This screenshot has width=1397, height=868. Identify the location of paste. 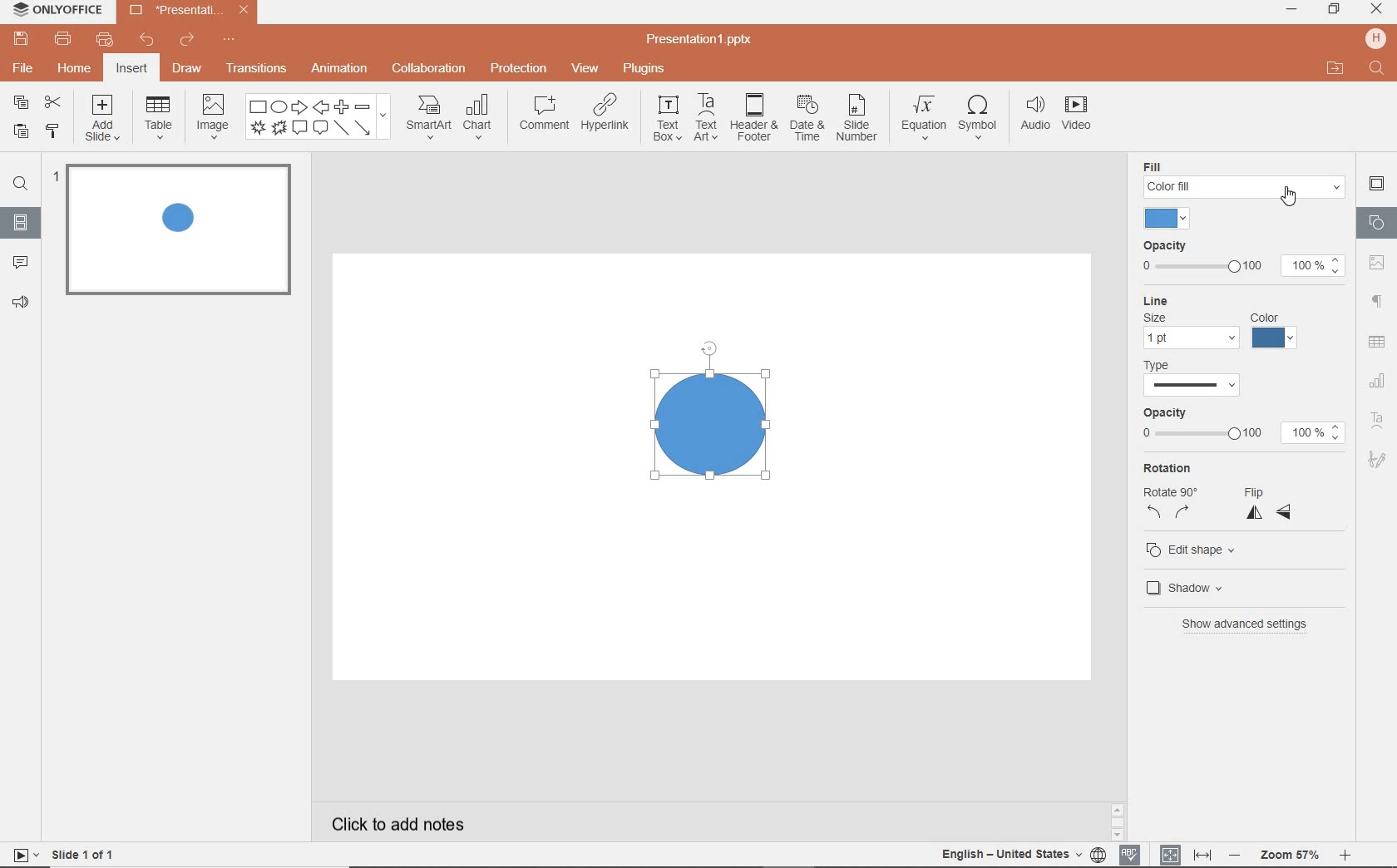
(20, 133).